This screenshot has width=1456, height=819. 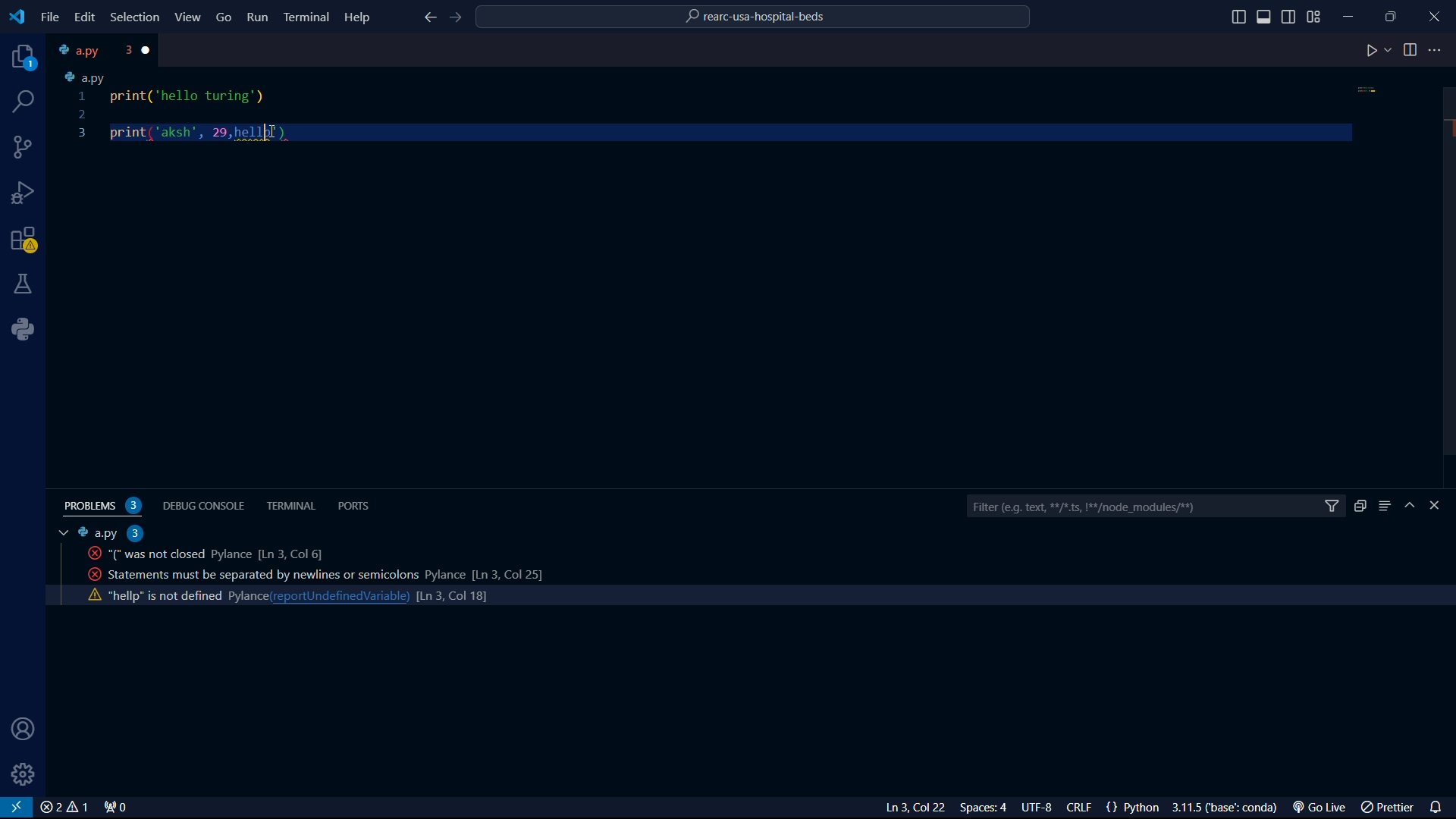 I want to click on notifications, so click(x=1439, y=805).